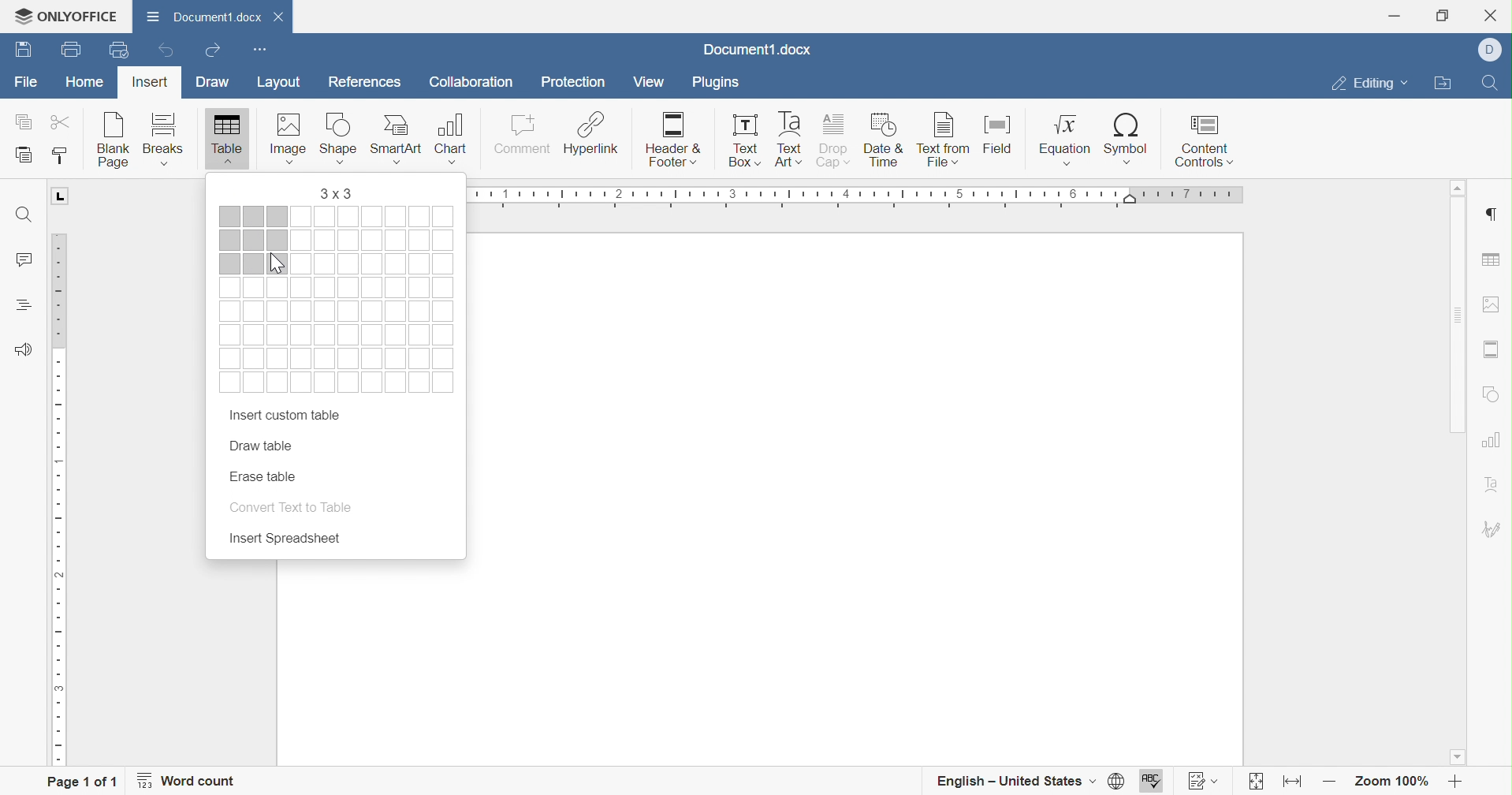 This screenshot has width=1512, height=795. Describe the element at coordinates (258, 50) in the screenshot. I see `Customize Quick Access Toolbar` at that location.